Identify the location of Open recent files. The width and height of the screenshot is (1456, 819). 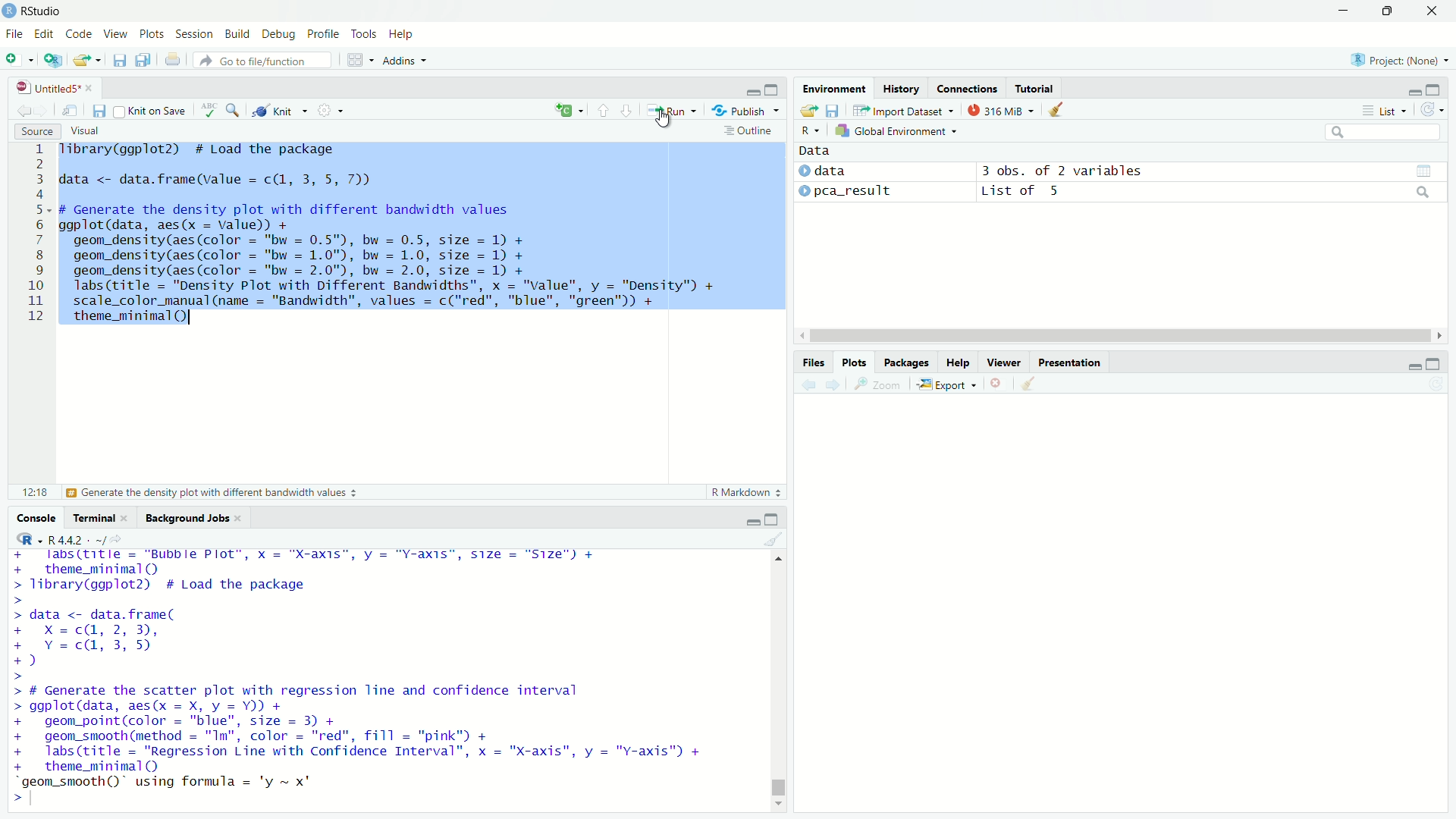
(98, 60).